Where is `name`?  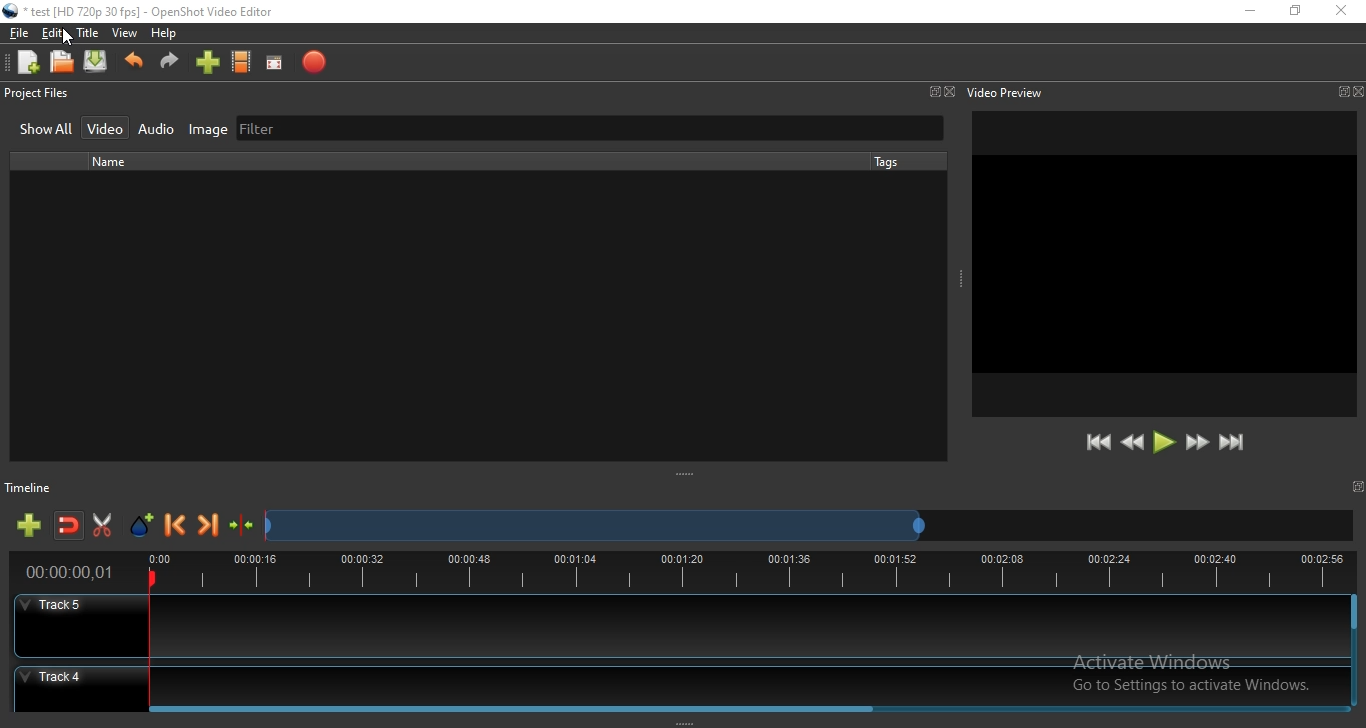 name is located at coordinates (116, 162).